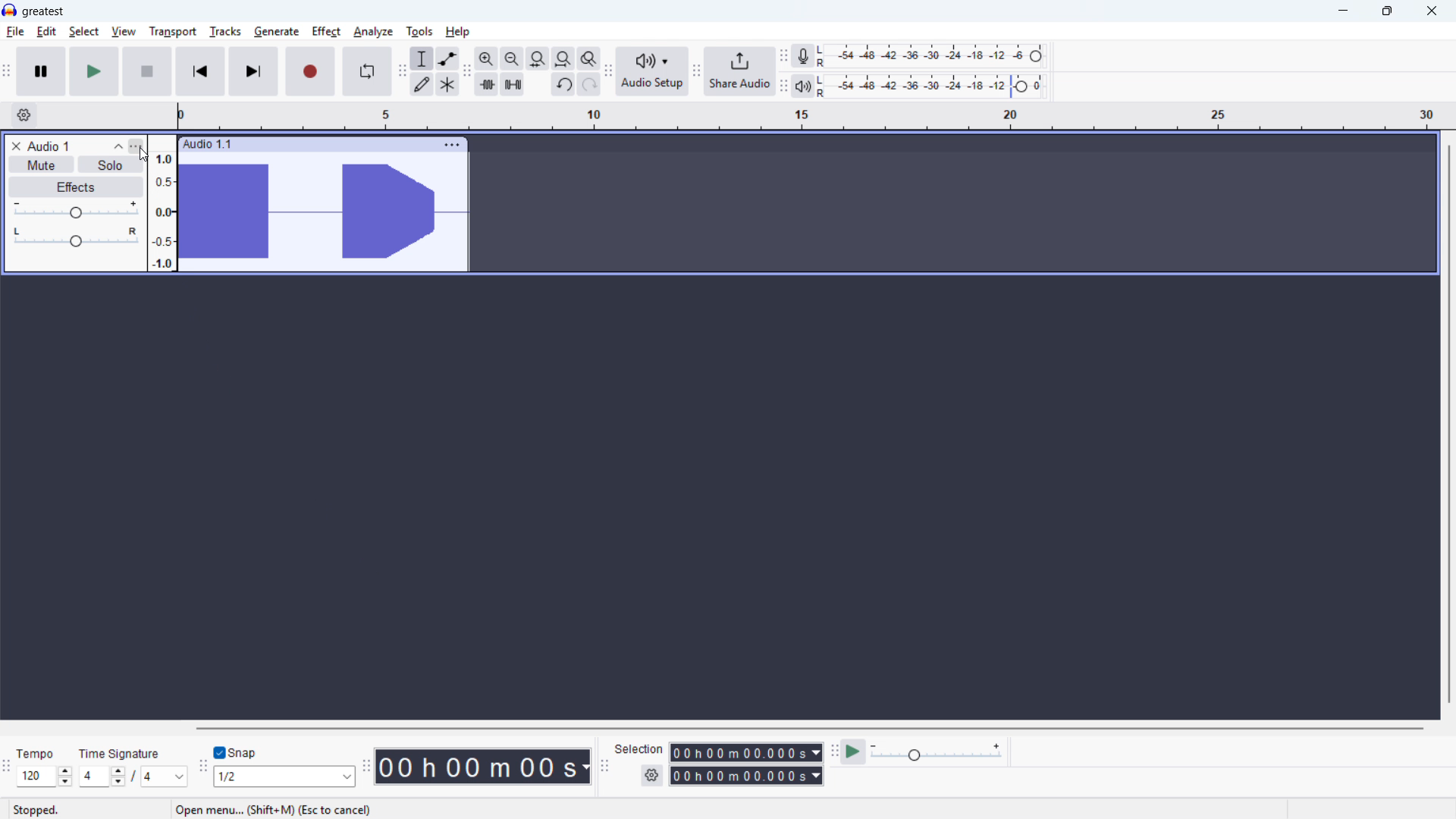 Image resolution: width=1456 pixels, height=819 pixels. What do you see at coordinates (6, 73) in the screenshot?
I see `Transport toolbar ` at bounding box center [6, 73].